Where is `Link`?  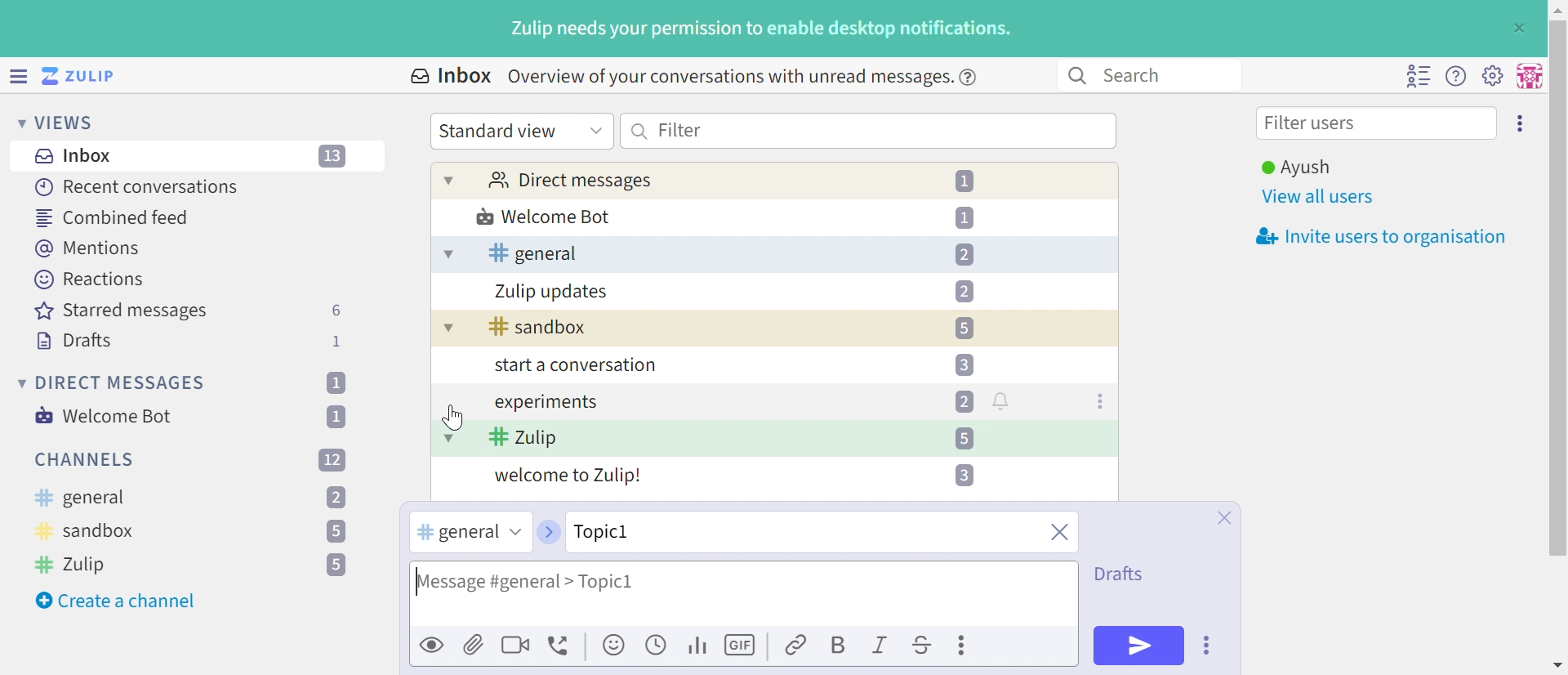 Link is located at coordinates (797, 646).